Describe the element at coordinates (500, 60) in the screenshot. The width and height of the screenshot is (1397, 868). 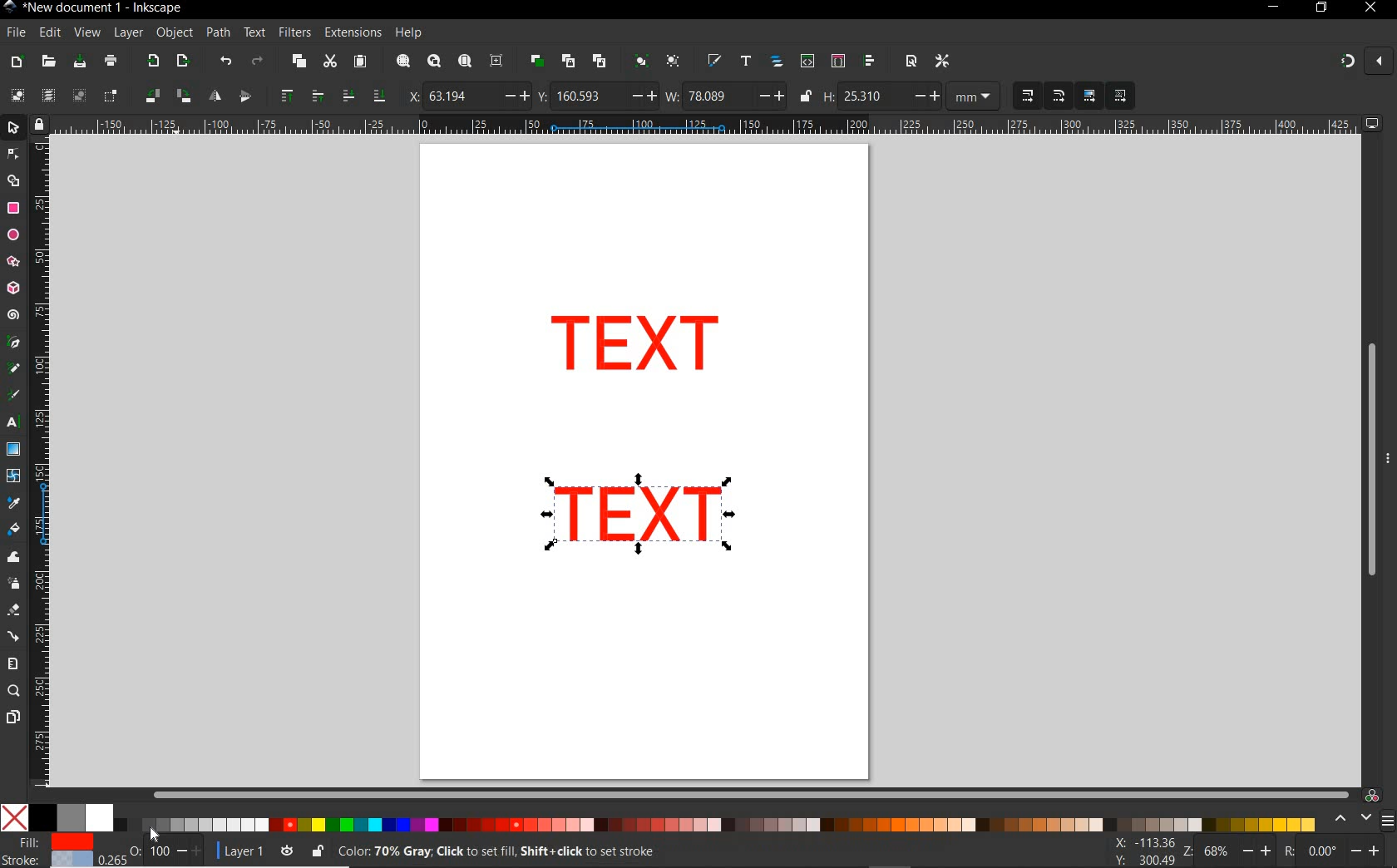
I see `zoom center page` at that location.